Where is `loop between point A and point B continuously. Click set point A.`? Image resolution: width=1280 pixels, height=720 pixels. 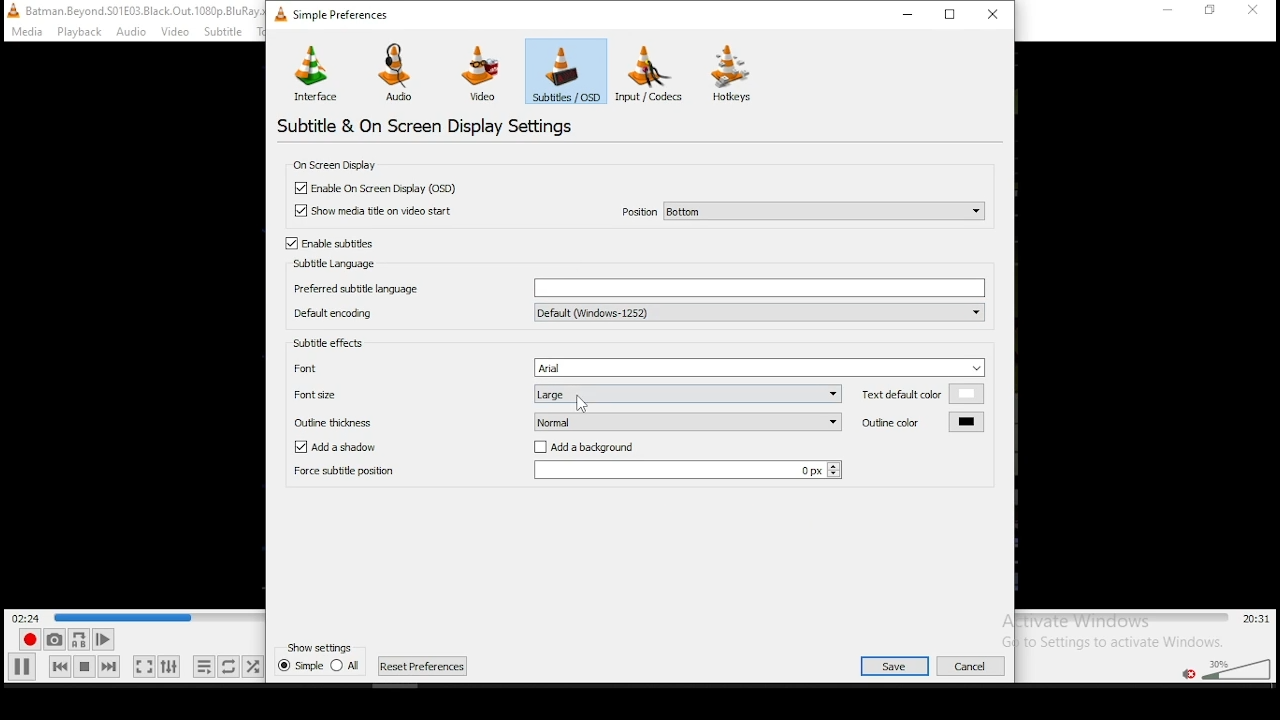
loop between point A and point B continuously. Click set point A. is located at coordinates (78, 640).